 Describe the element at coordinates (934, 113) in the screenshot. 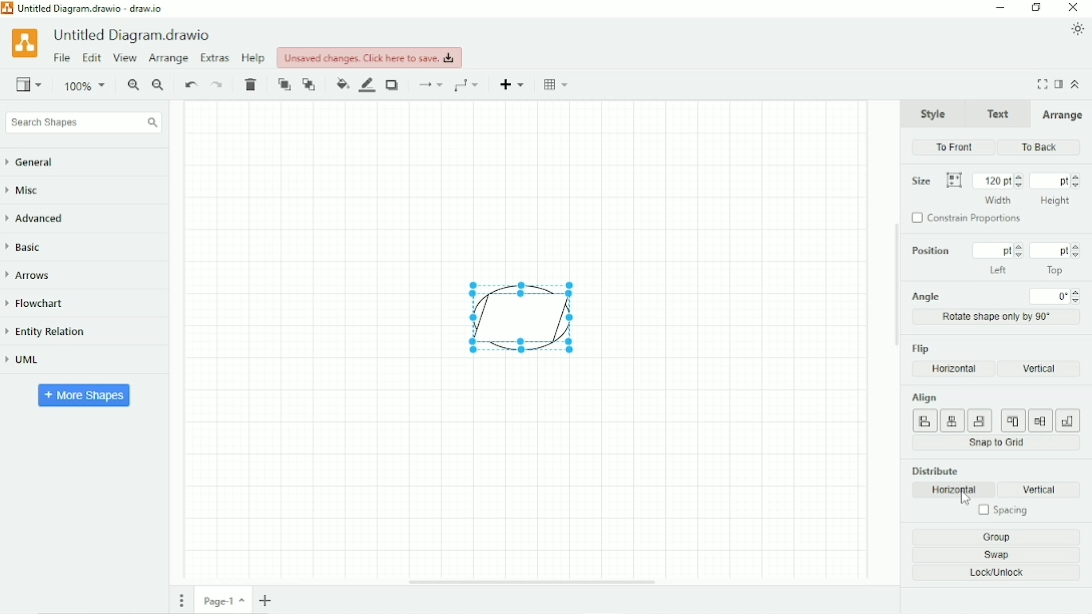

I see `Style` at that location.